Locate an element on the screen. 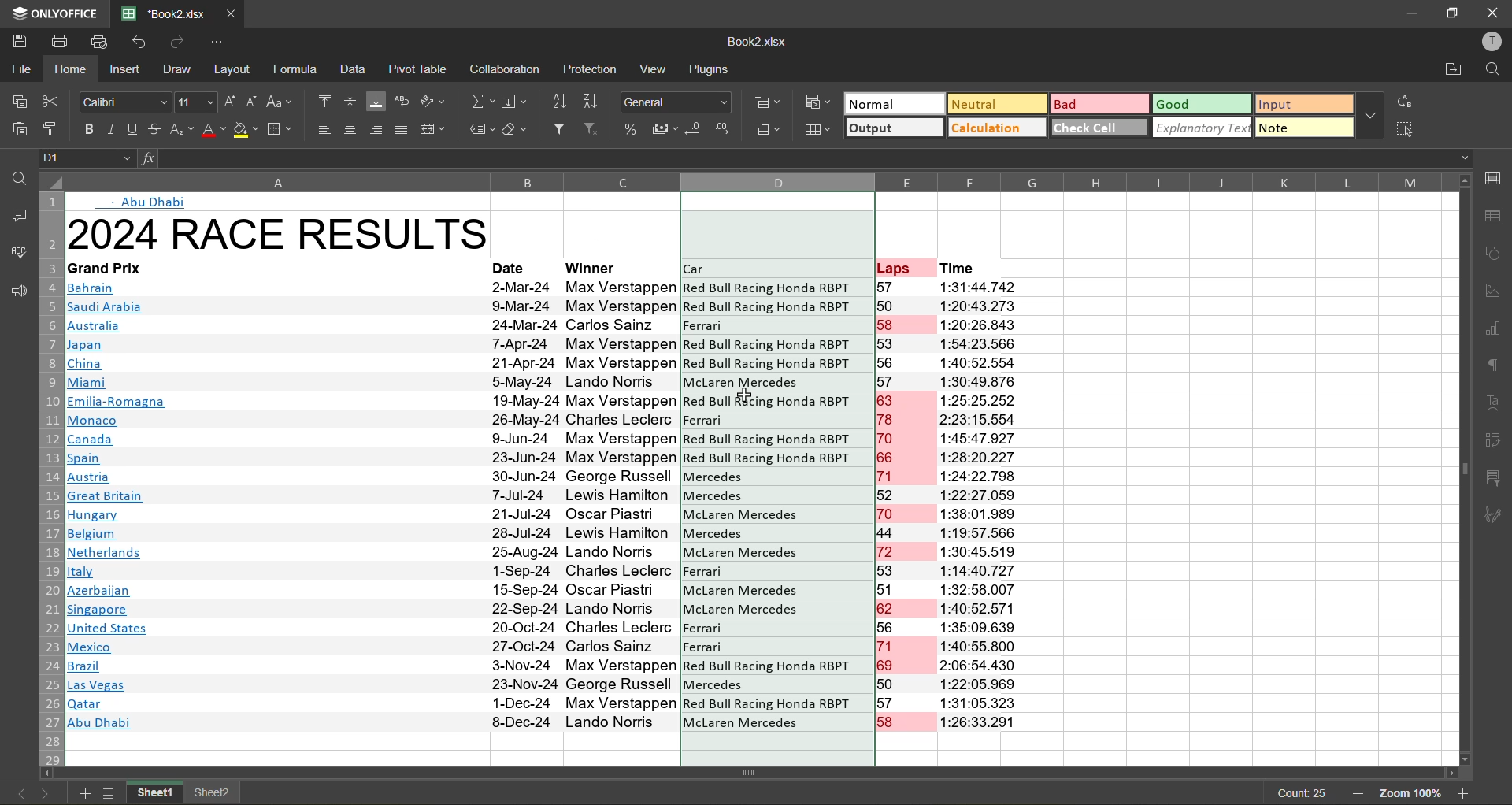  replace is located at coordinates (1404, 102).